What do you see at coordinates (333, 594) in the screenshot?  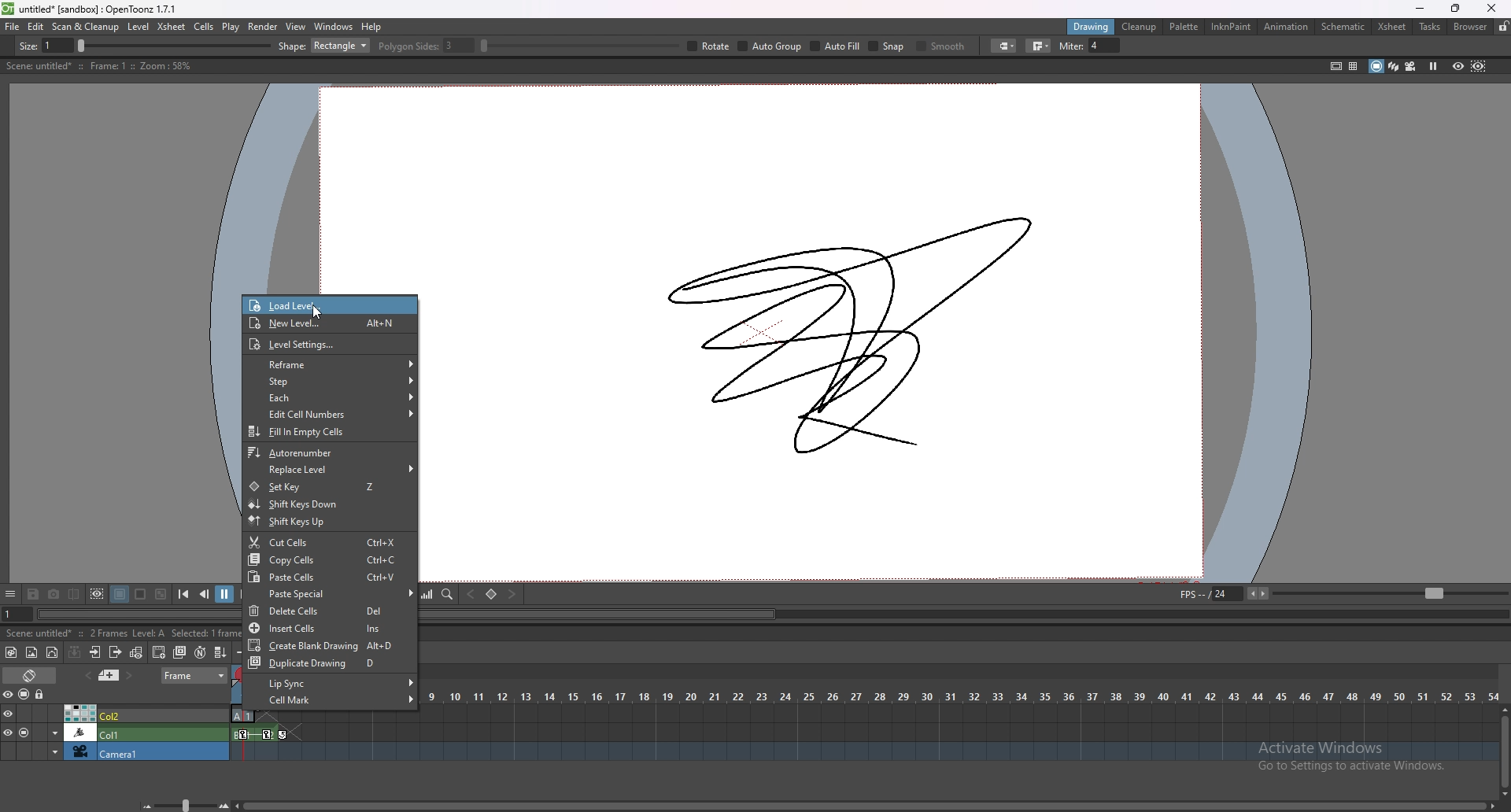 I see `paste special` at bounding box center [333, 594].